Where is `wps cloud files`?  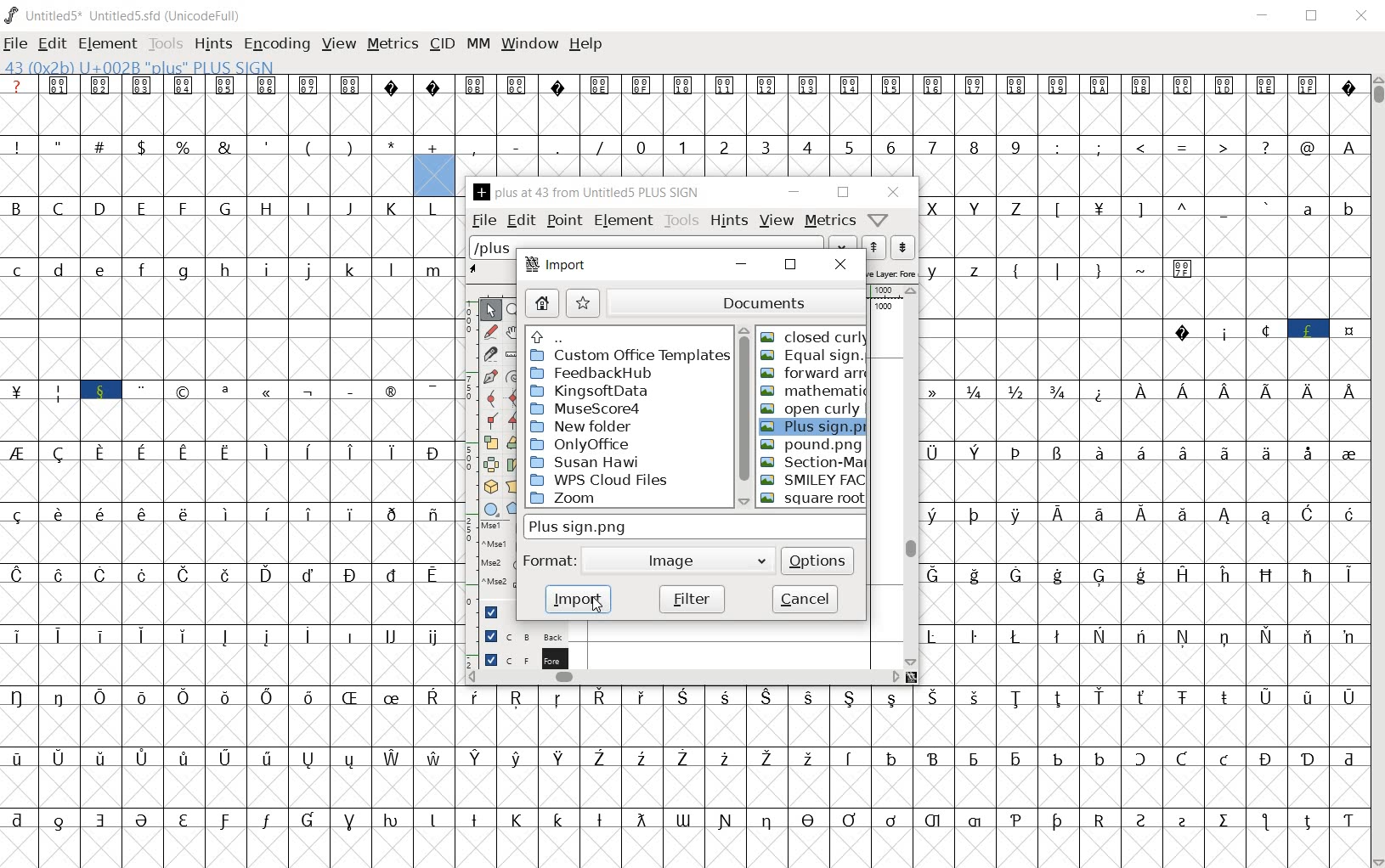 wps cloud files is located at coordinates (602, 479).